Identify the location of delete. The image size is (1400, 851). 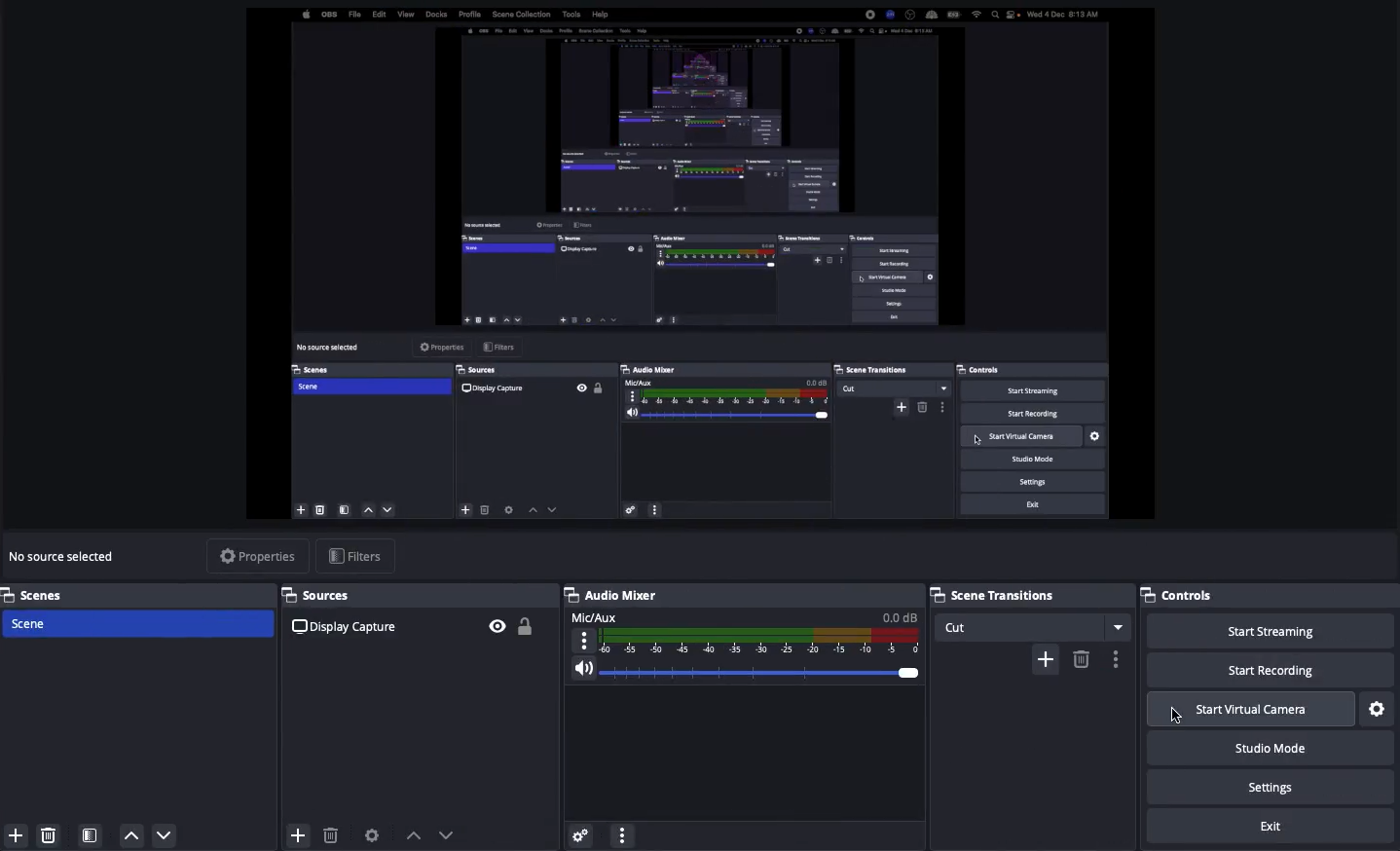
(332, 833).